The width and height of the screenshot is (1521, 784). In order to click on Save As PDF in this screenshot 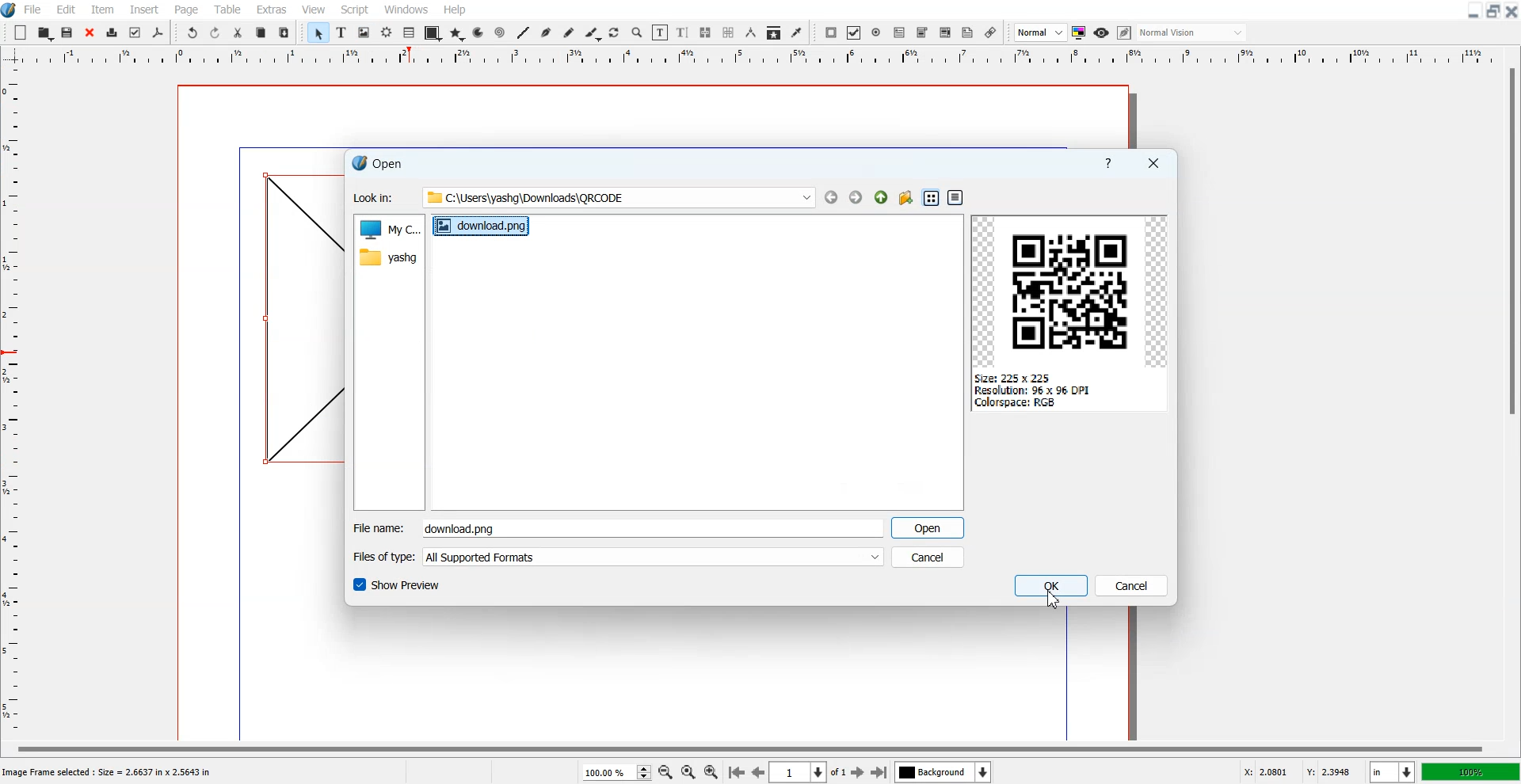, I will do `click(158, 33)`.